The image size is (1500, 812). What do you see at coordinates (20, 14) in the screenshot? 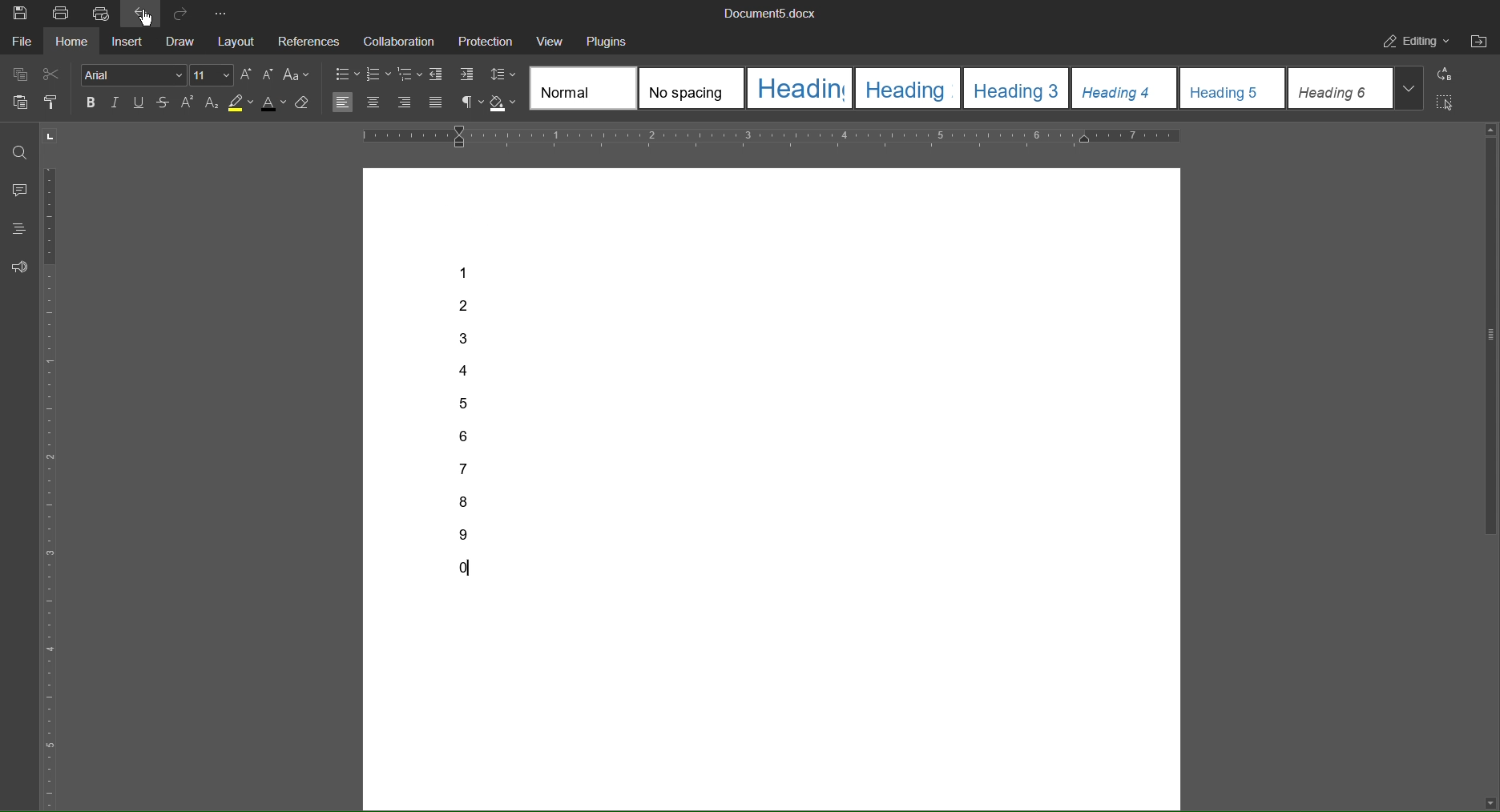
I see `Save` at bounding box center [20, 14].